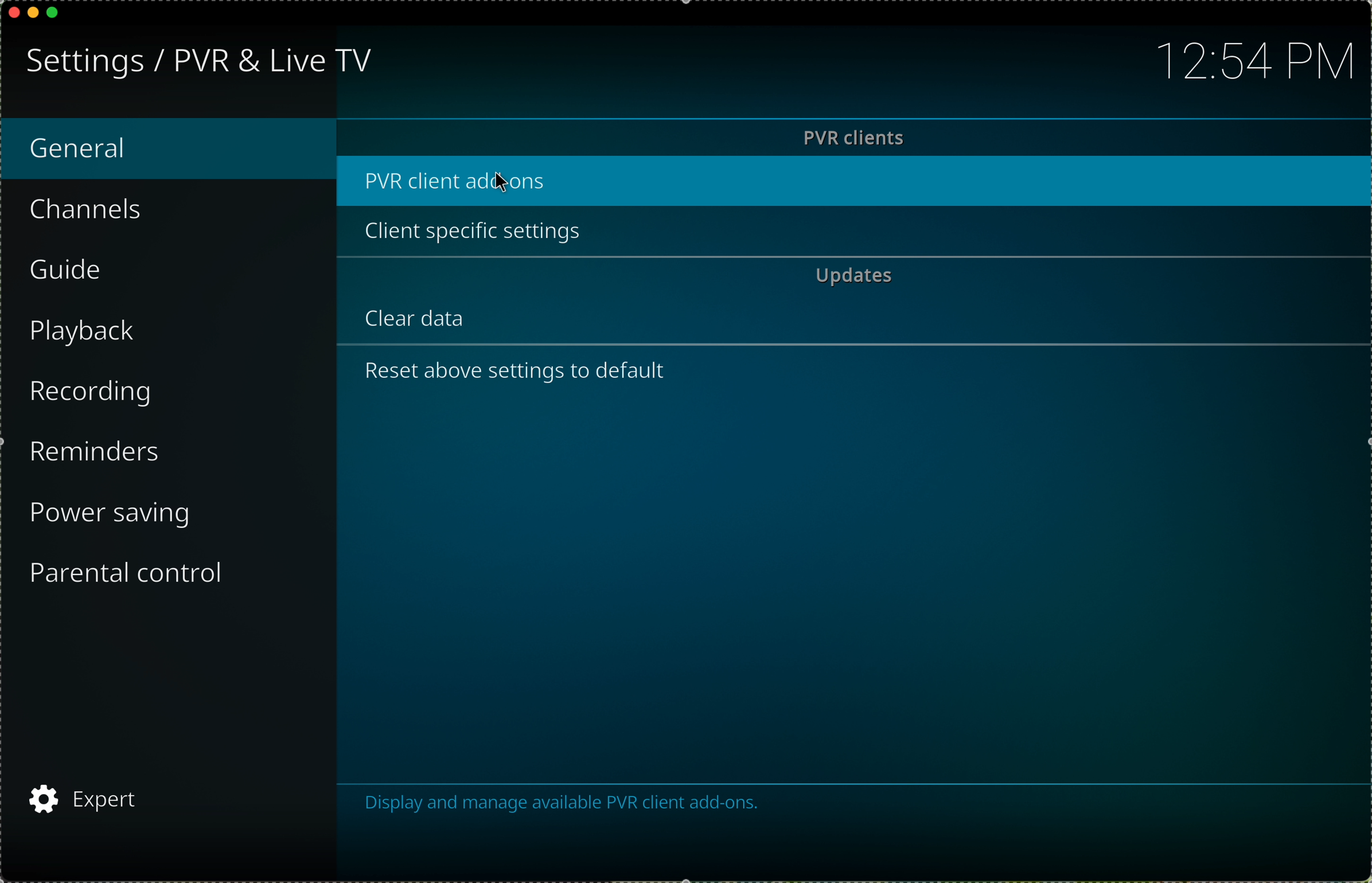 This screenshot has height=883, width=1372. Describe the element at coordinates (33, 17) in the screenshot. I see `minimize` at that location.